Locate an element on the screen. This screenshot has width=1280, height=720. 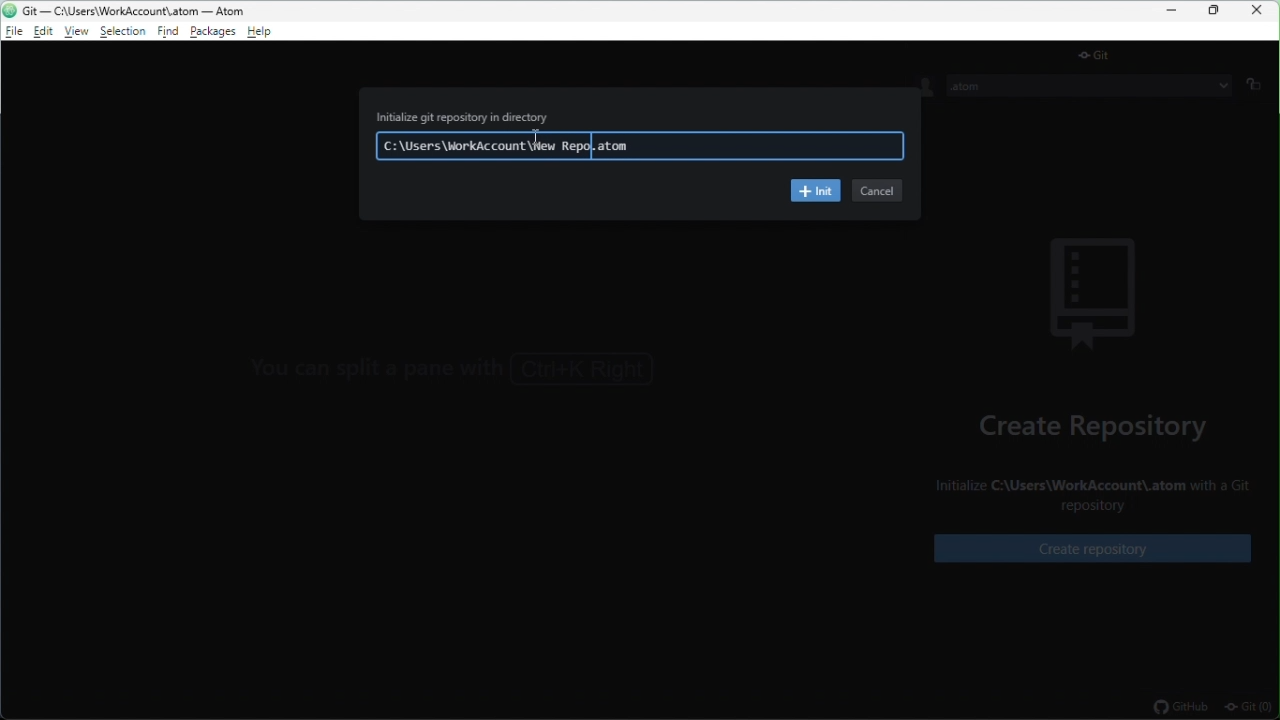
init is located at coordinates (817, 192).